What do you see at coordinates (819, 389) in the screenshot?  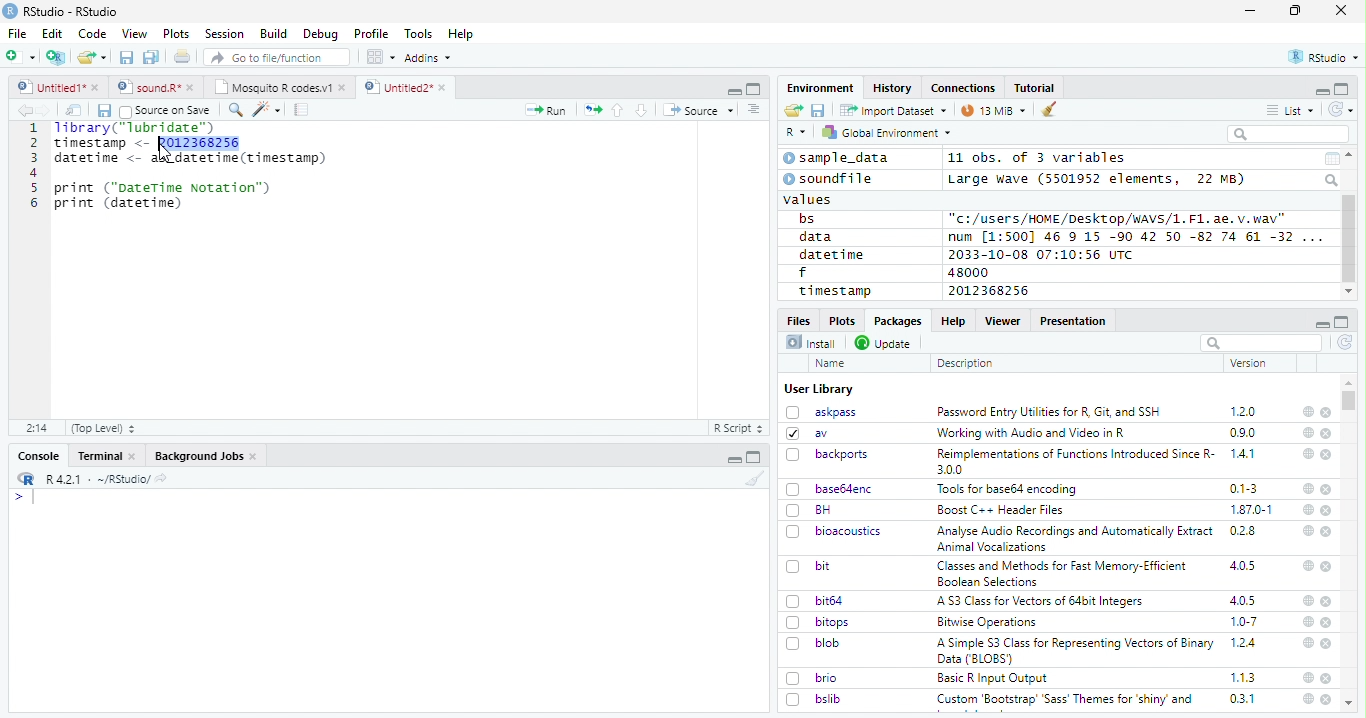 I see `User Library` at bounding box center [819, 389].